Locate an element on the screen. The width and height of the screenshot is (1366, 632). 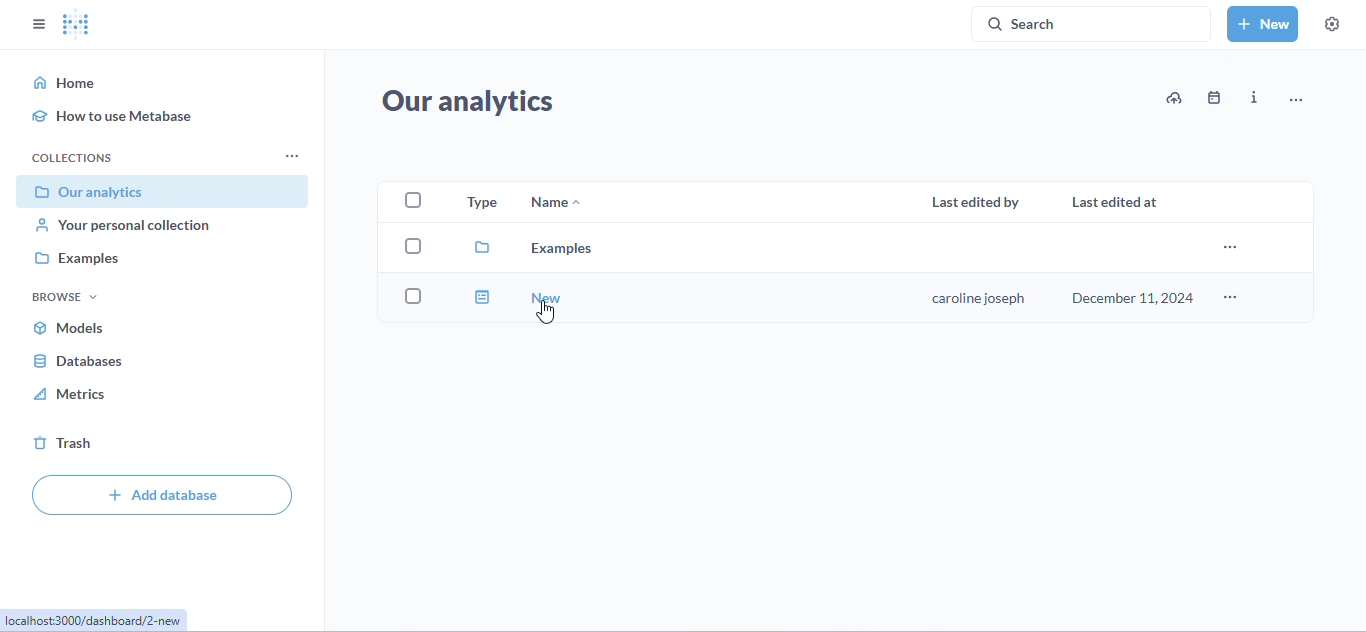
our analytics is located at coordinates (100, 191).